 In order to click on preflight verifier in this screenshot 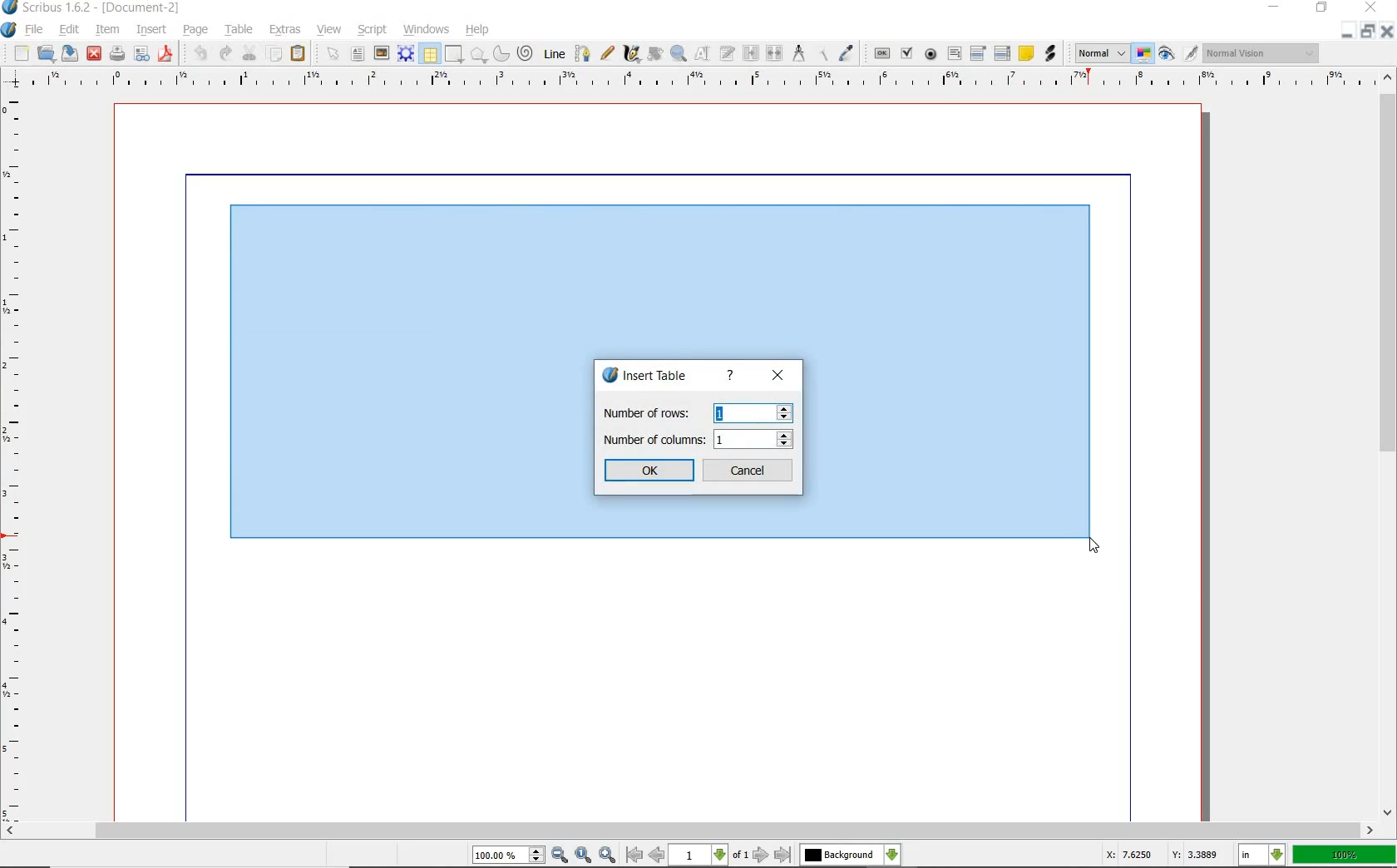, I will do `click(143, 55)`.